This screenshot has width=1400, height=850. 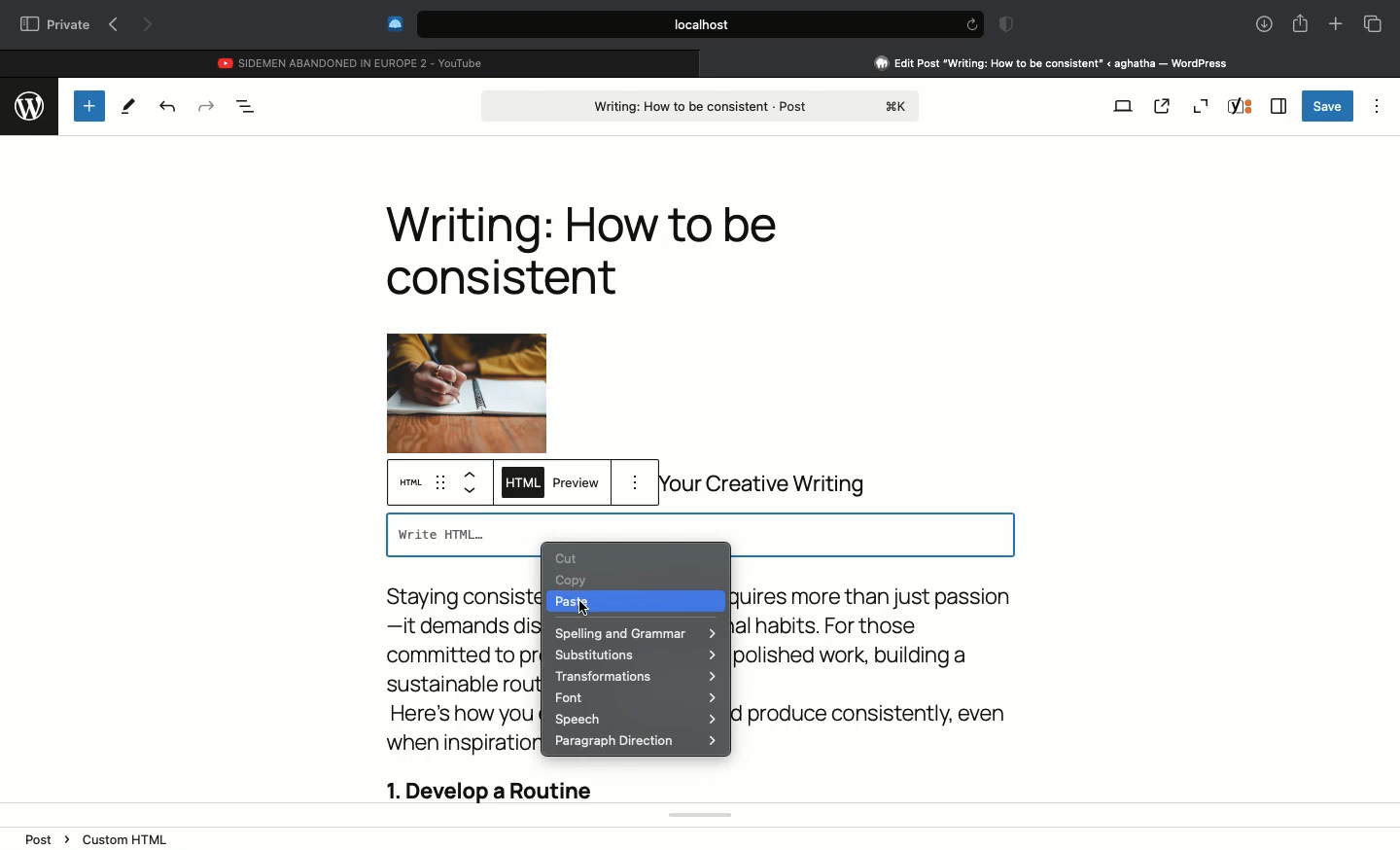 I want to click on up & down arrow, so click(x=472, y=483).